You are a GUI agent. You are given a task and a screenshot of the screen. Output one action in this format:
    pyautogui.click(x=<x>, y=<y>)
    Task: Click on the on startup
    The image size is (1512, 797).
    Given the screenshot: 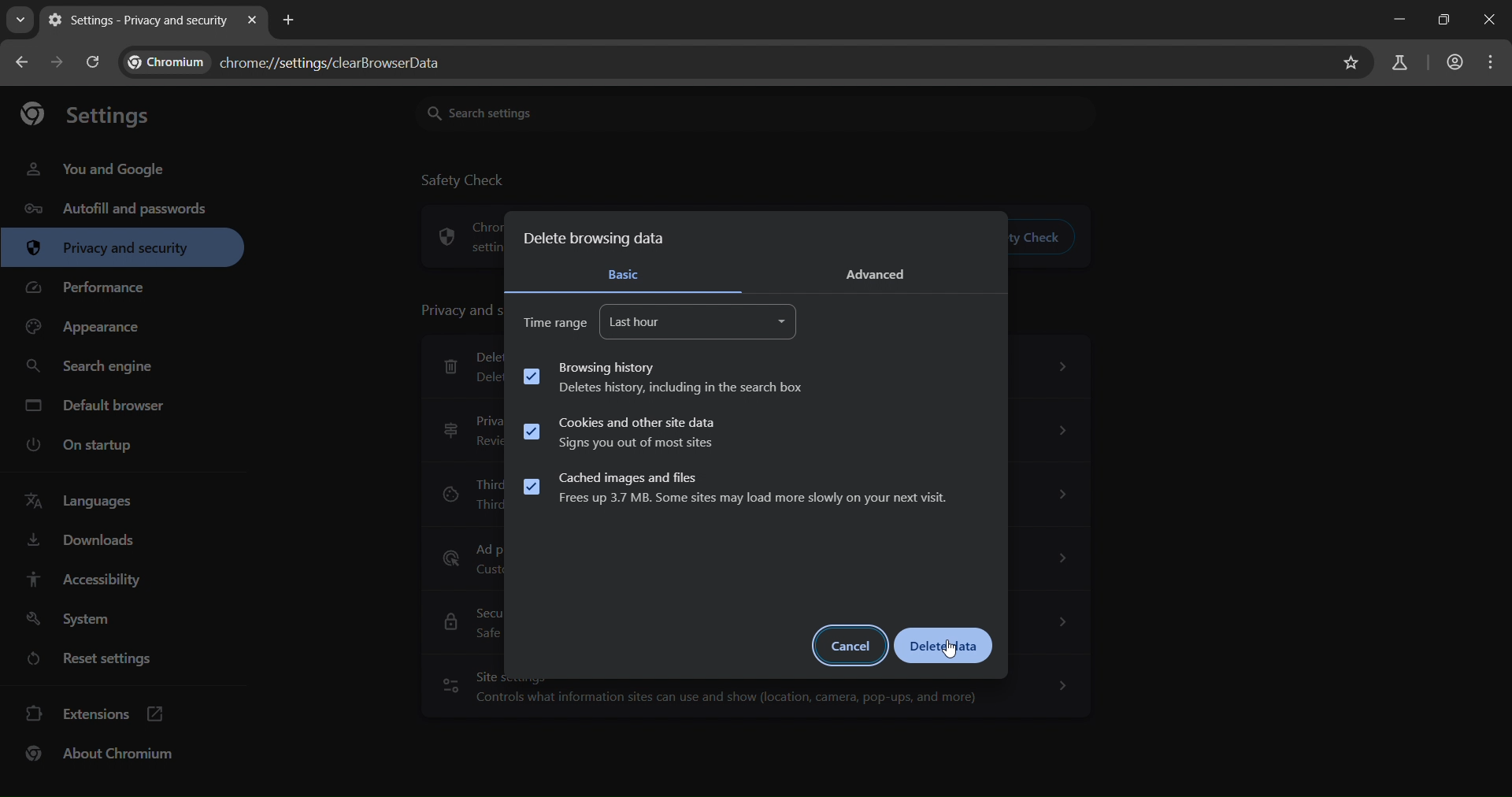 What is the action you would take?
    pyautogui.click(x=84, y=444)
    